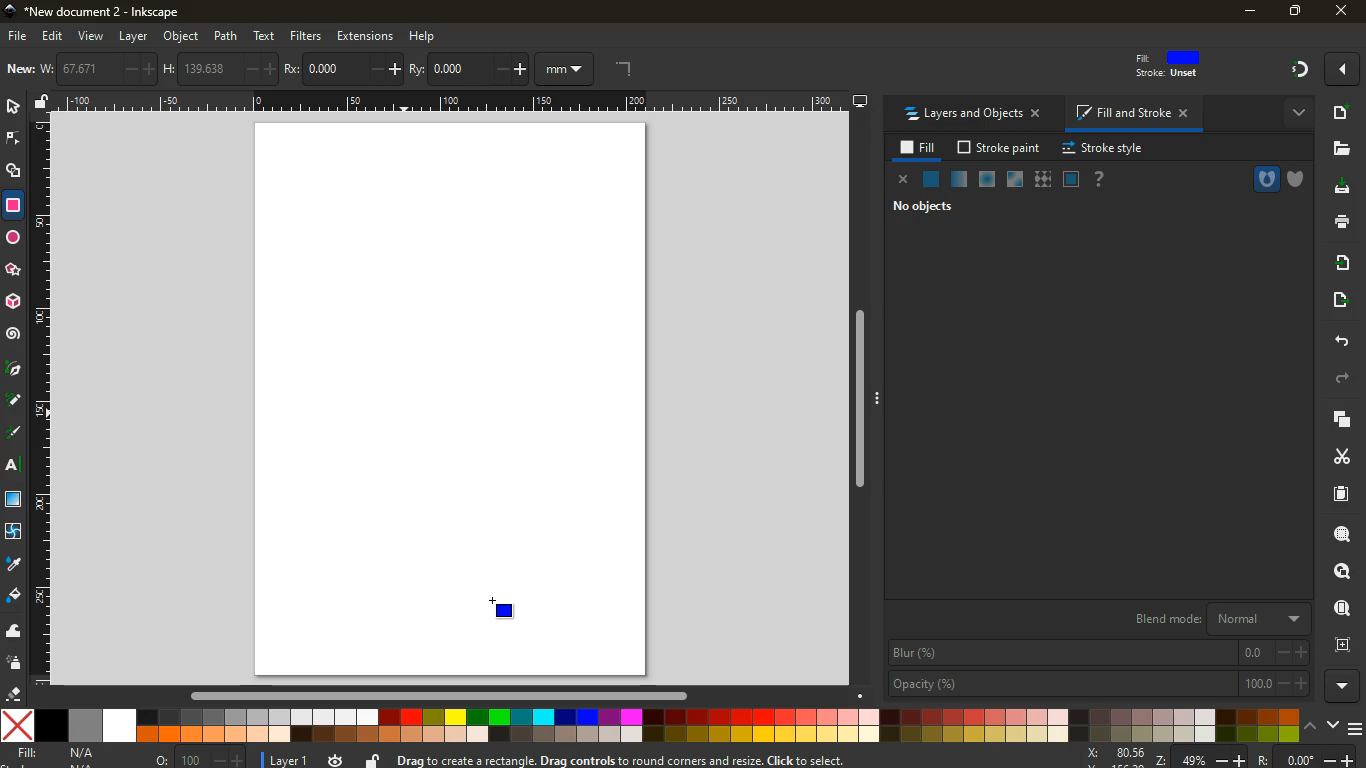 Image resolution: width=1366 pixels, height=768 pixels. Describe the element at coordinates (1343, 12) in the screenshot. I see `close` at that location.